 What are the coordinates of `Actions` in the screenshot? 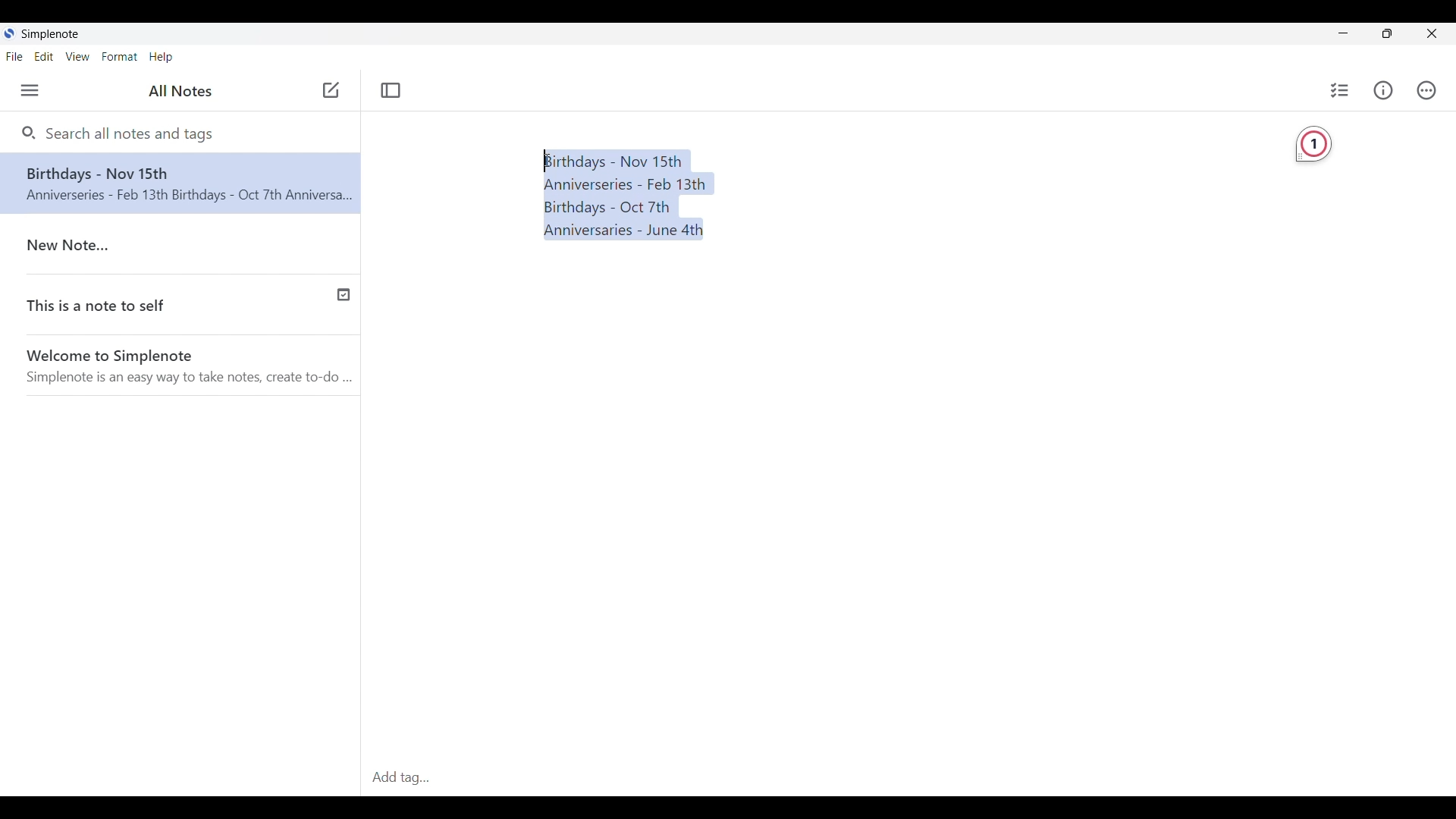 It's located at (1426, 90).